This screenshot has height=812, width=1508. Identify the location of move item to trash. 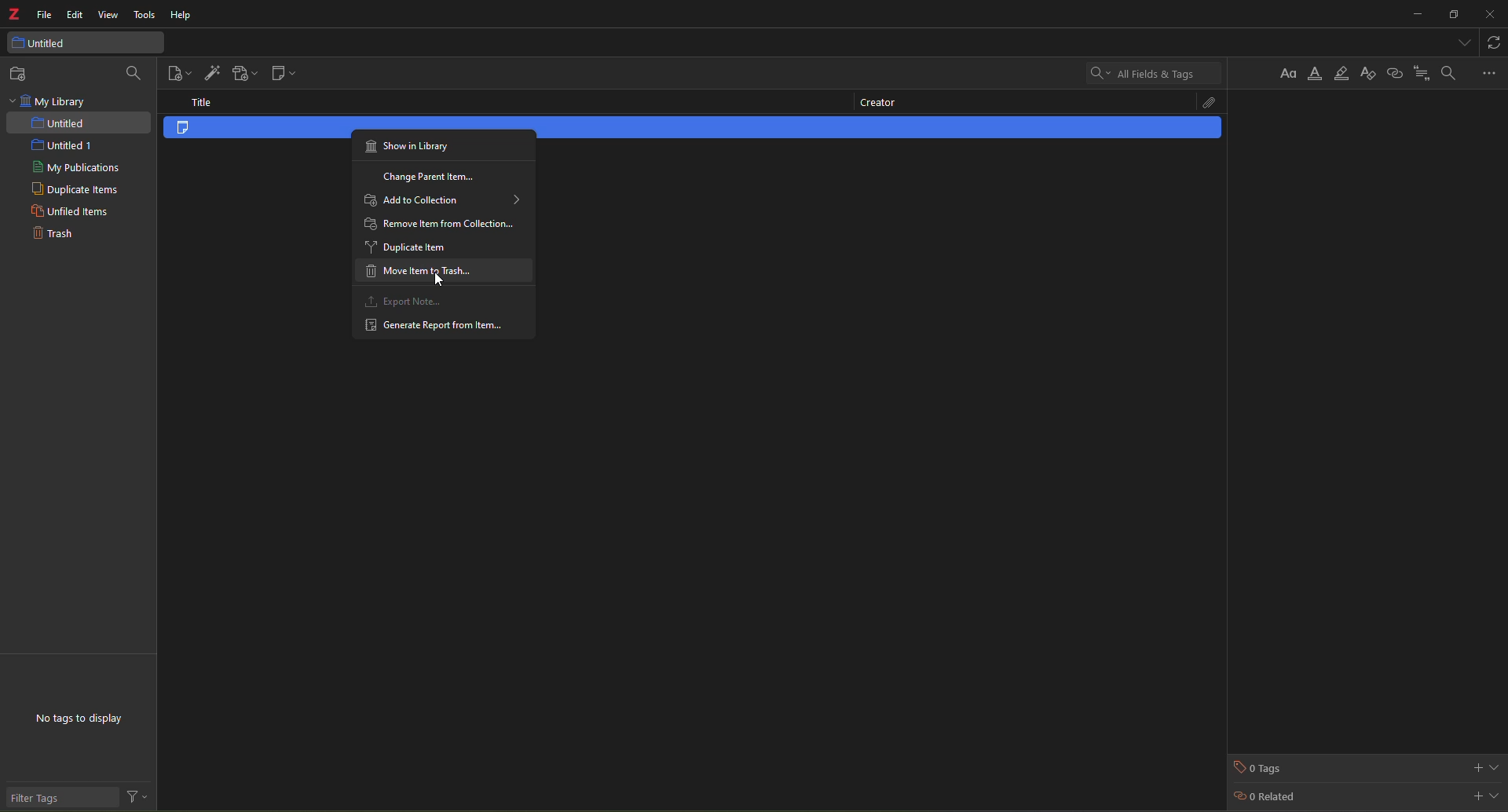
(416, 272).